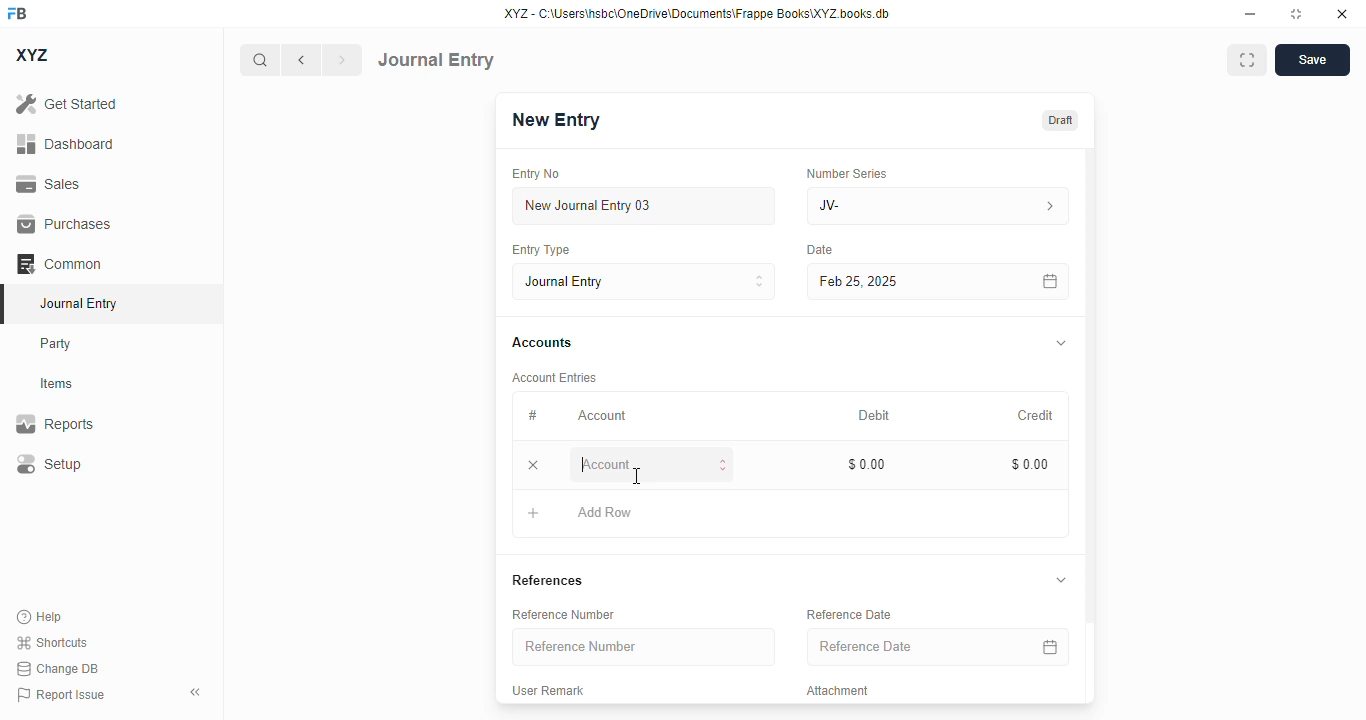  Describe the element at coordinates (1061, 579) in the screenshot. I see `toggle expand/collapse` at that location.